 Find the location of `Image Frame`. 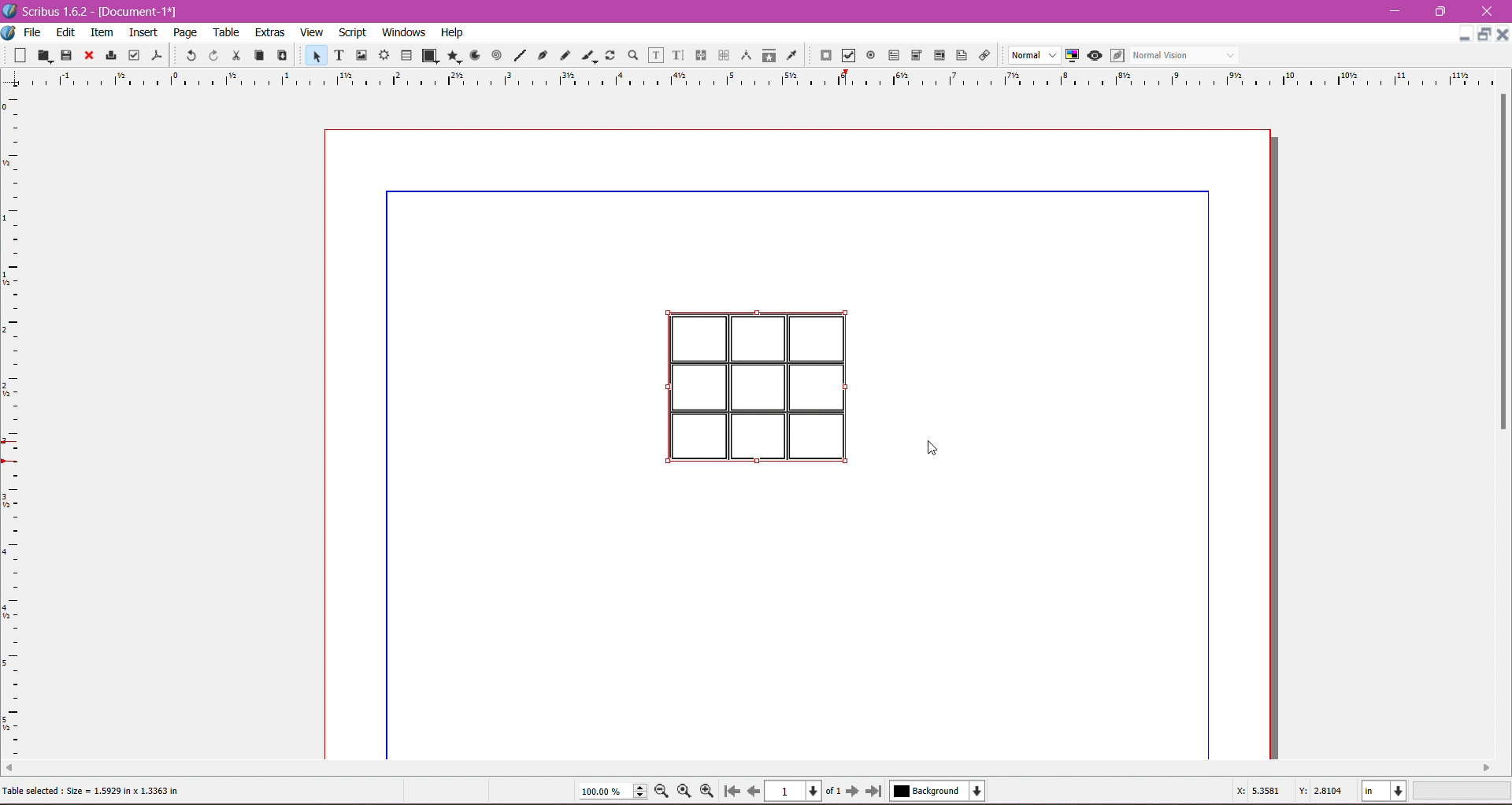

Image Frame is located at coordinates (359, 54).